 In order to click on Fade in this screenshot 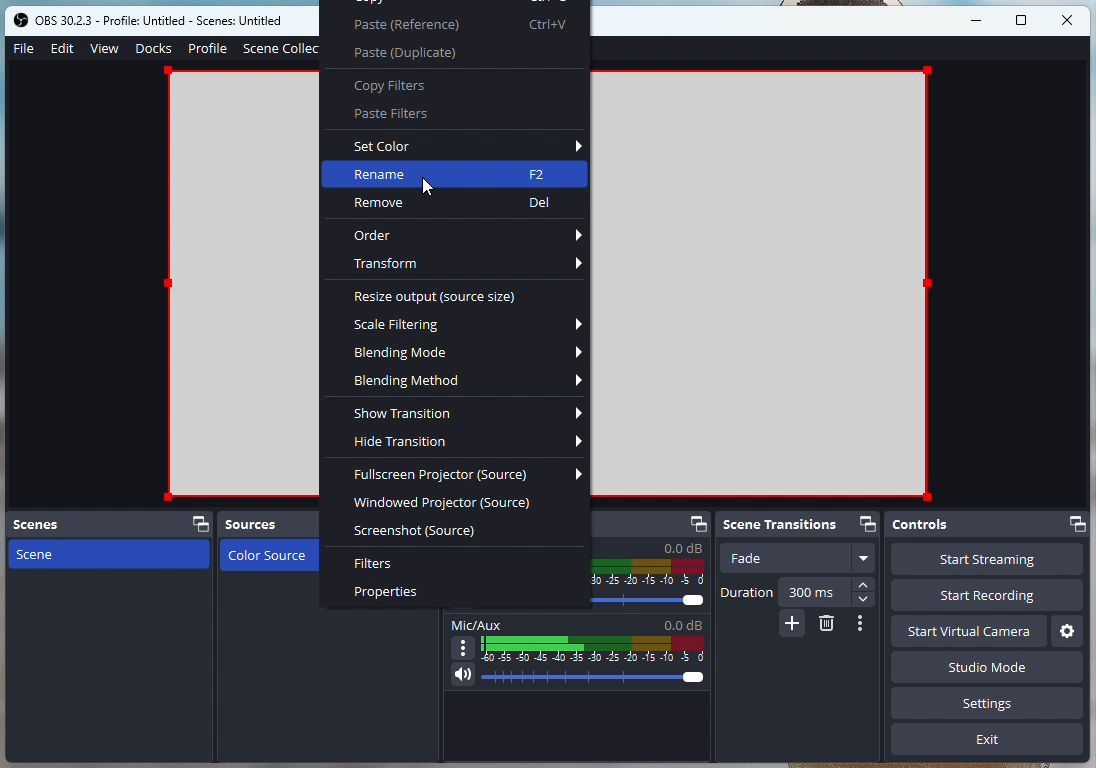, I will do `click(798, 560)`.